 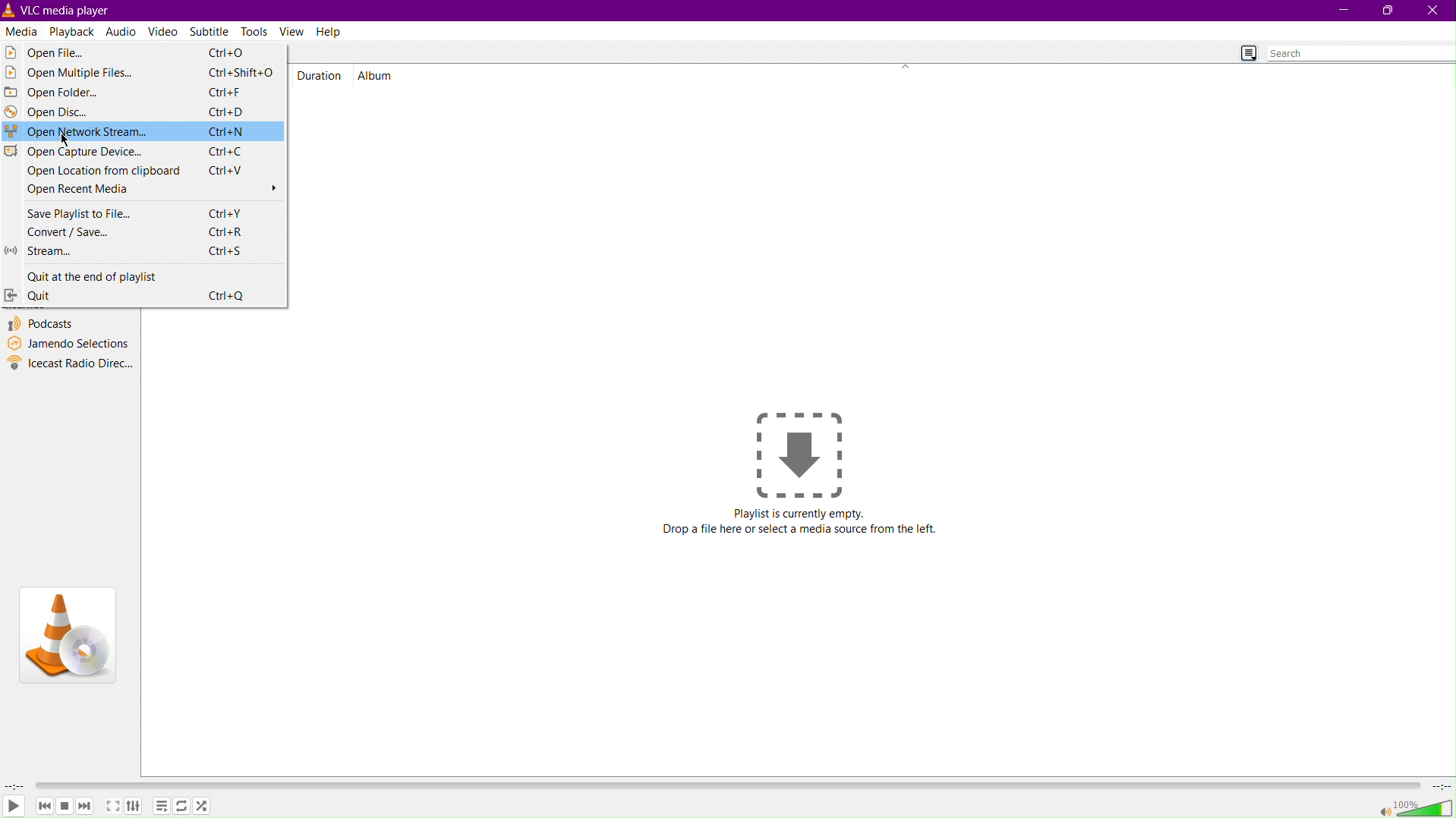 I want to click on Open Network Stream, so click(x=72, y=134).